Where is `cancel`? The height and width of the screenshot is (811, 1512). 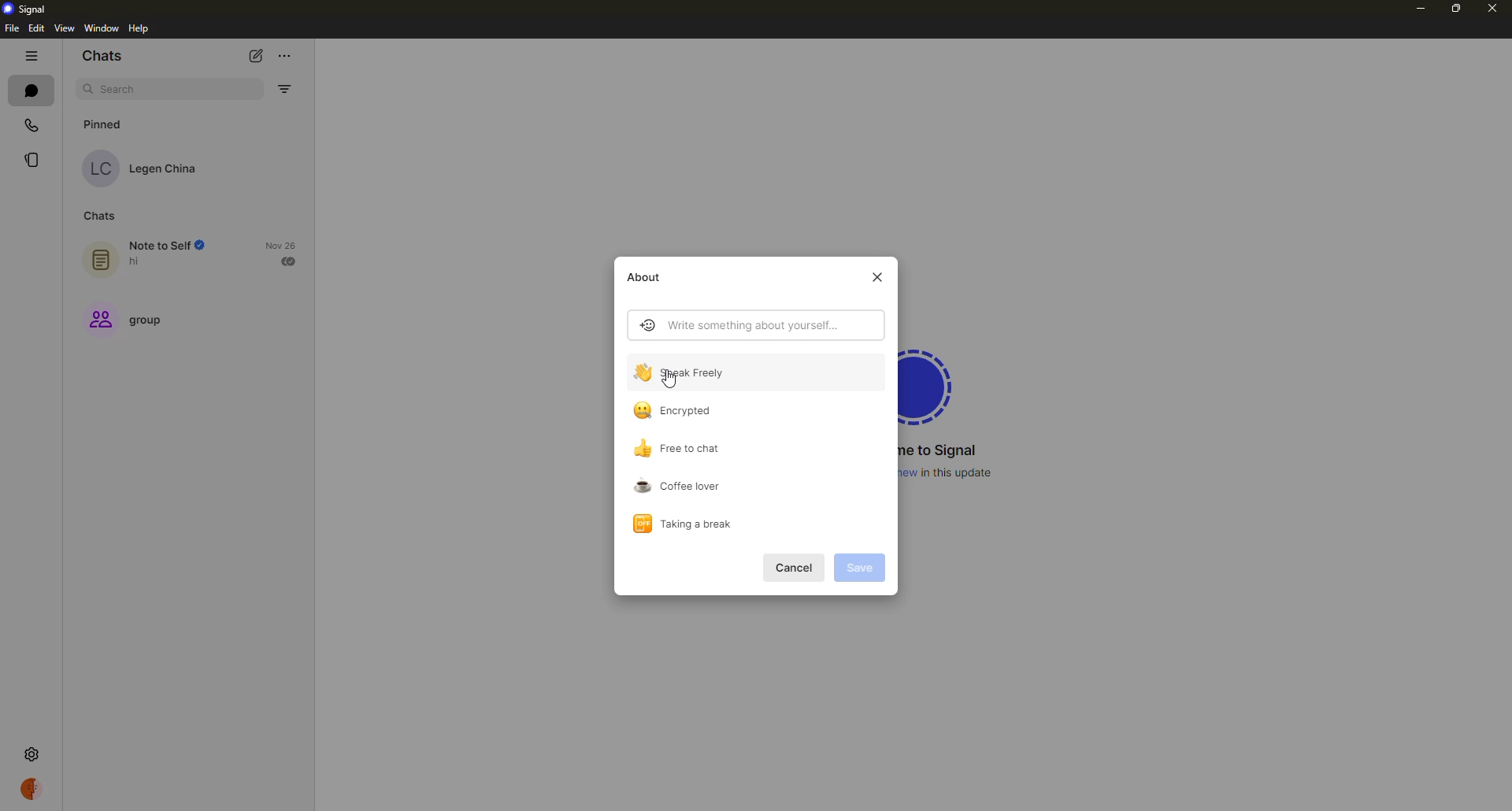 cancel is located at coordinates (796, 568).